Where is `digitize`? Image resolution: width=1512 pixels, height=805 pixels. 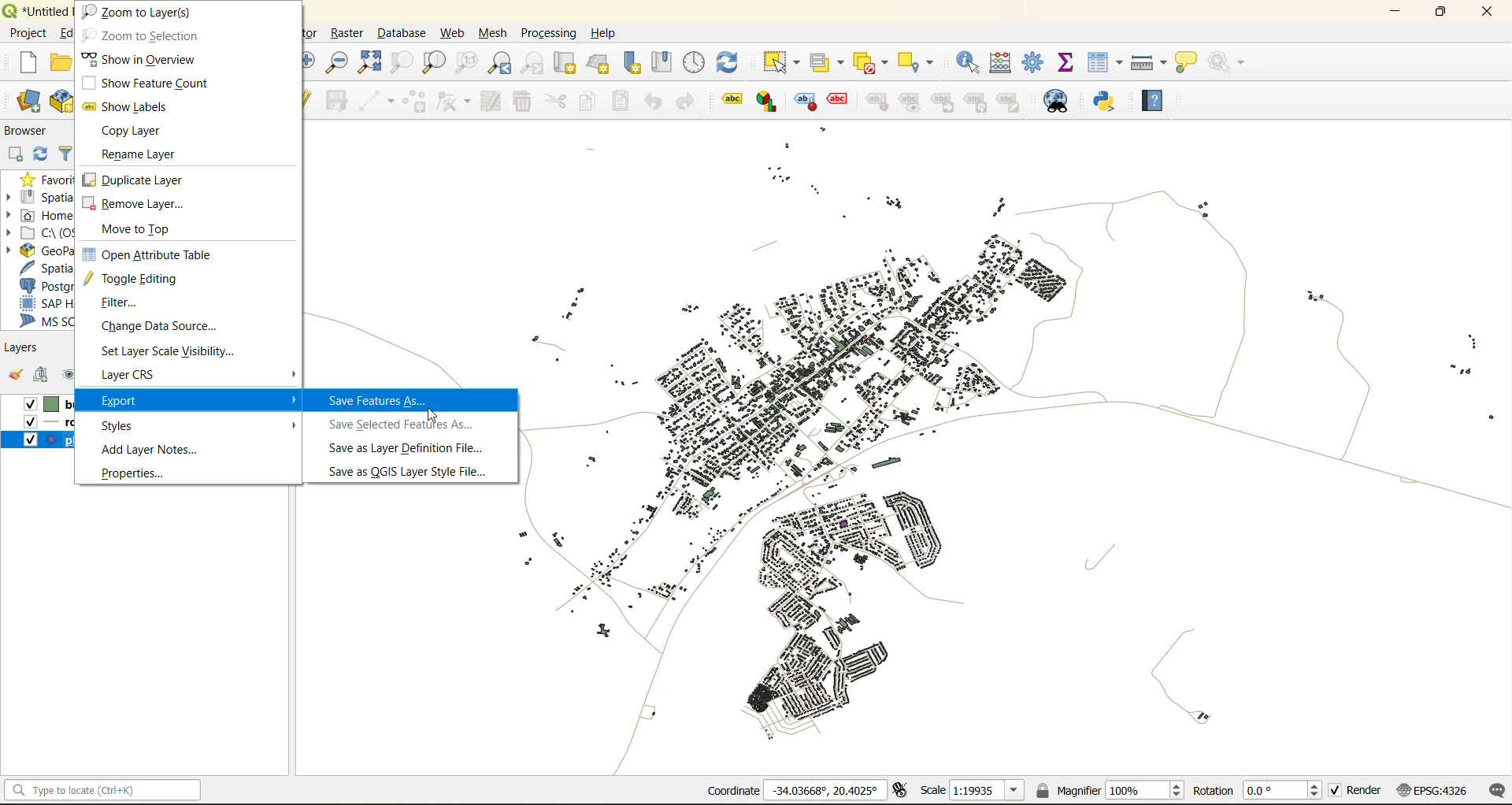
digitize is located at coordinates (374, 101).